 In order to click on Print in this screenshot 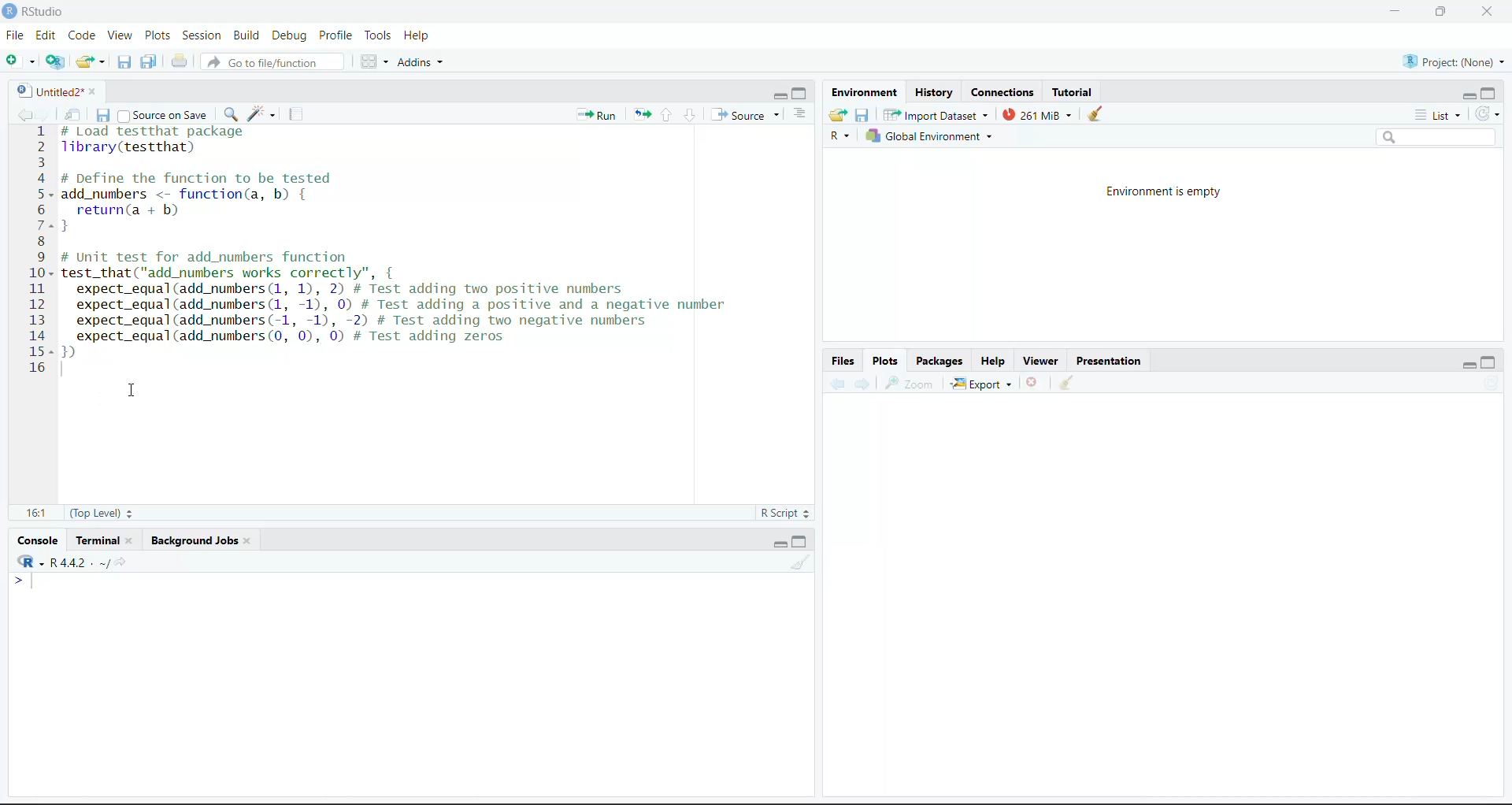, I will do `click(180, 61)`.